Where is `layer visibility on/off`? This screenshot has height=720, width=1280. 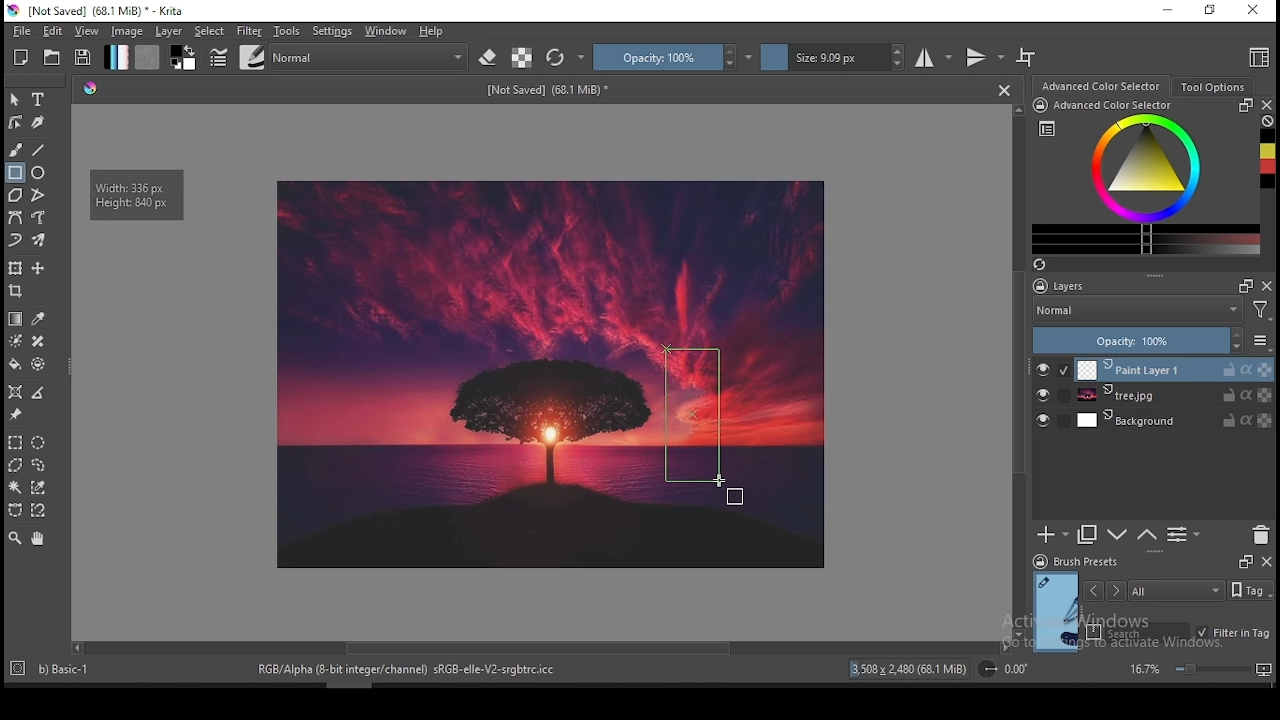 layer visibility on/off is located at coordinates (1044, 369).